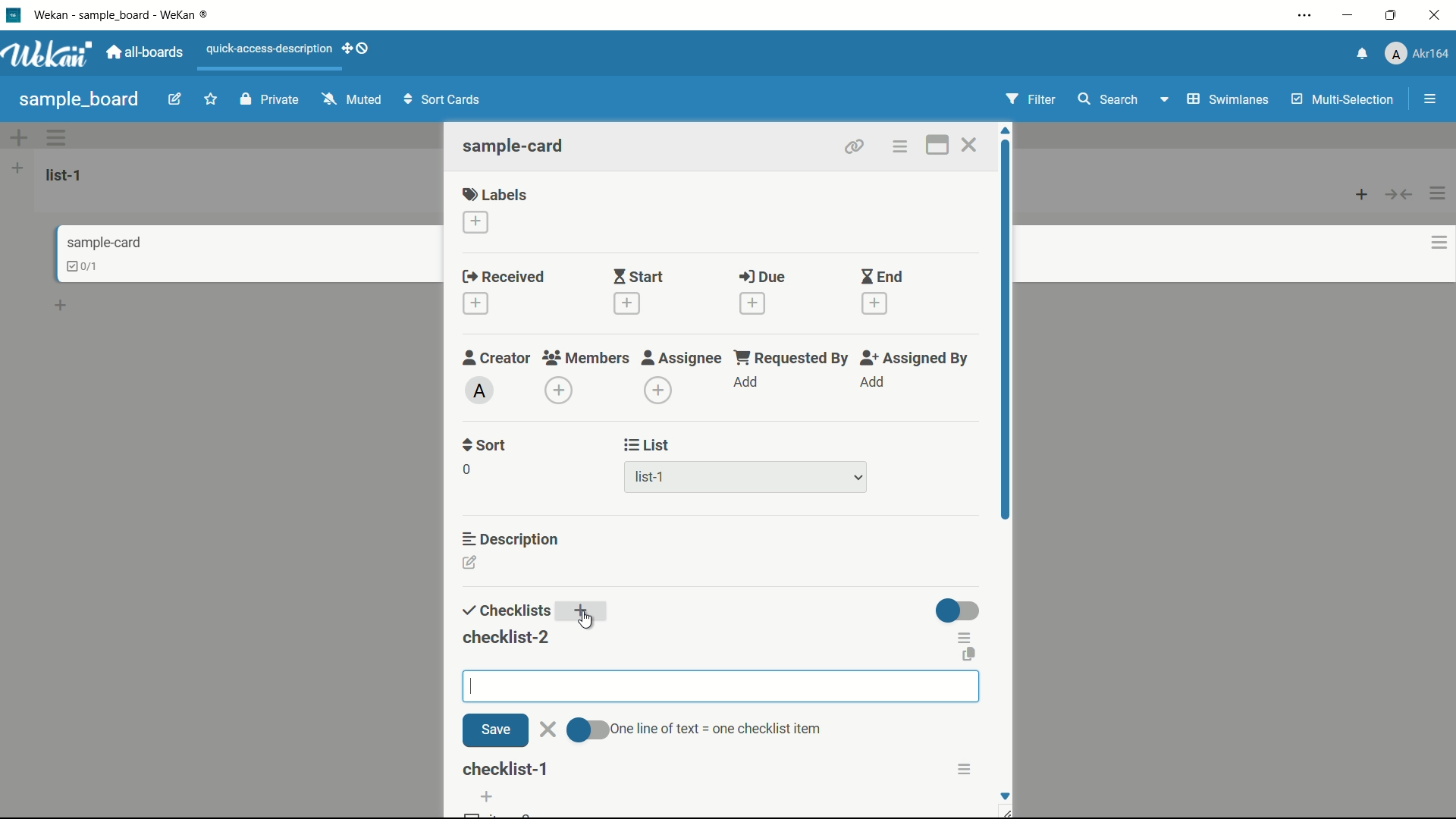 The width and height of the screenshot is (1456, 819). I want to click on copy link to clipboard, so click(852, 146).